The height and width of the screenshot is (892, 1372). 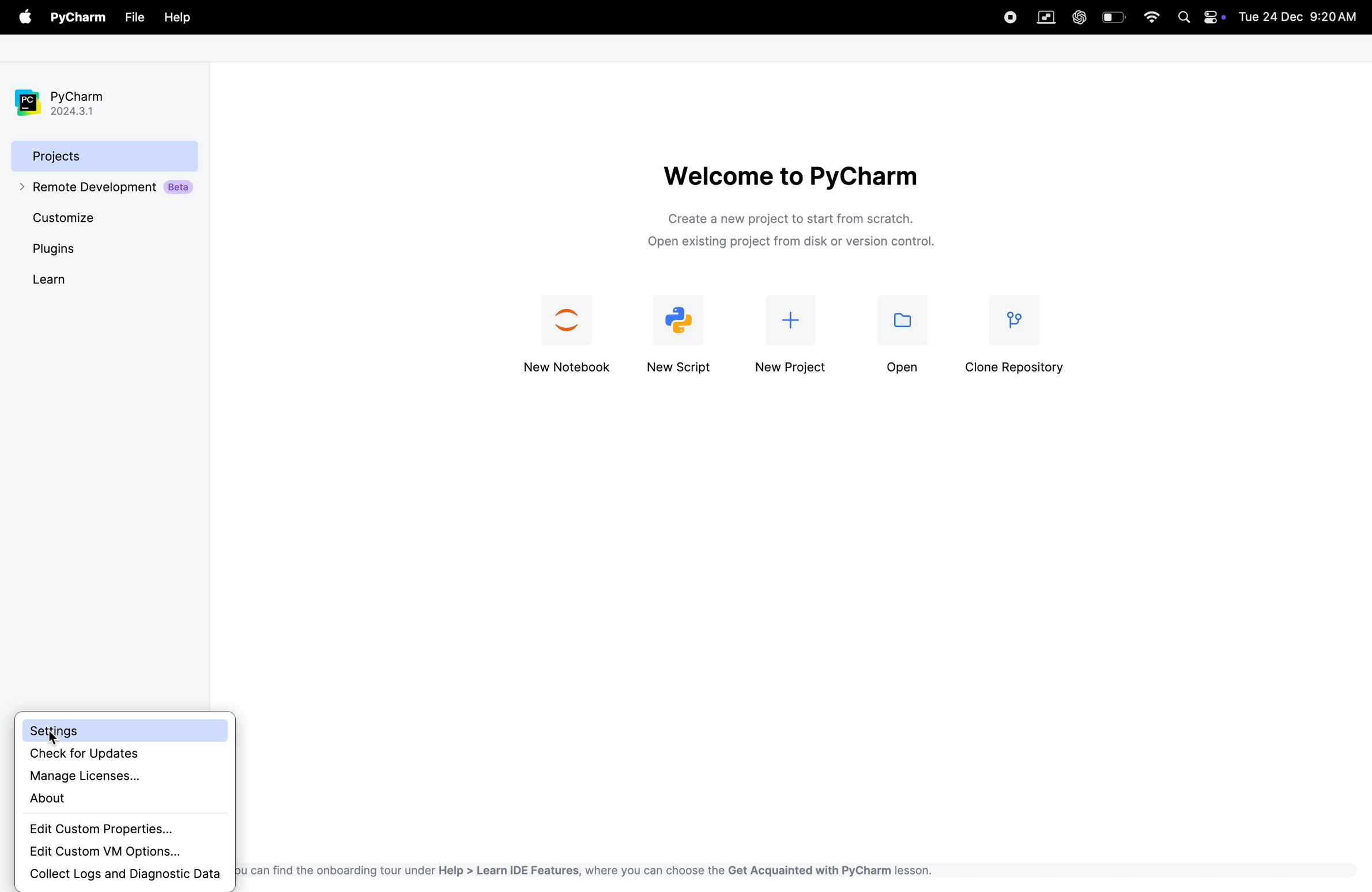 I want to click on projects, so click(x=105, y=155).